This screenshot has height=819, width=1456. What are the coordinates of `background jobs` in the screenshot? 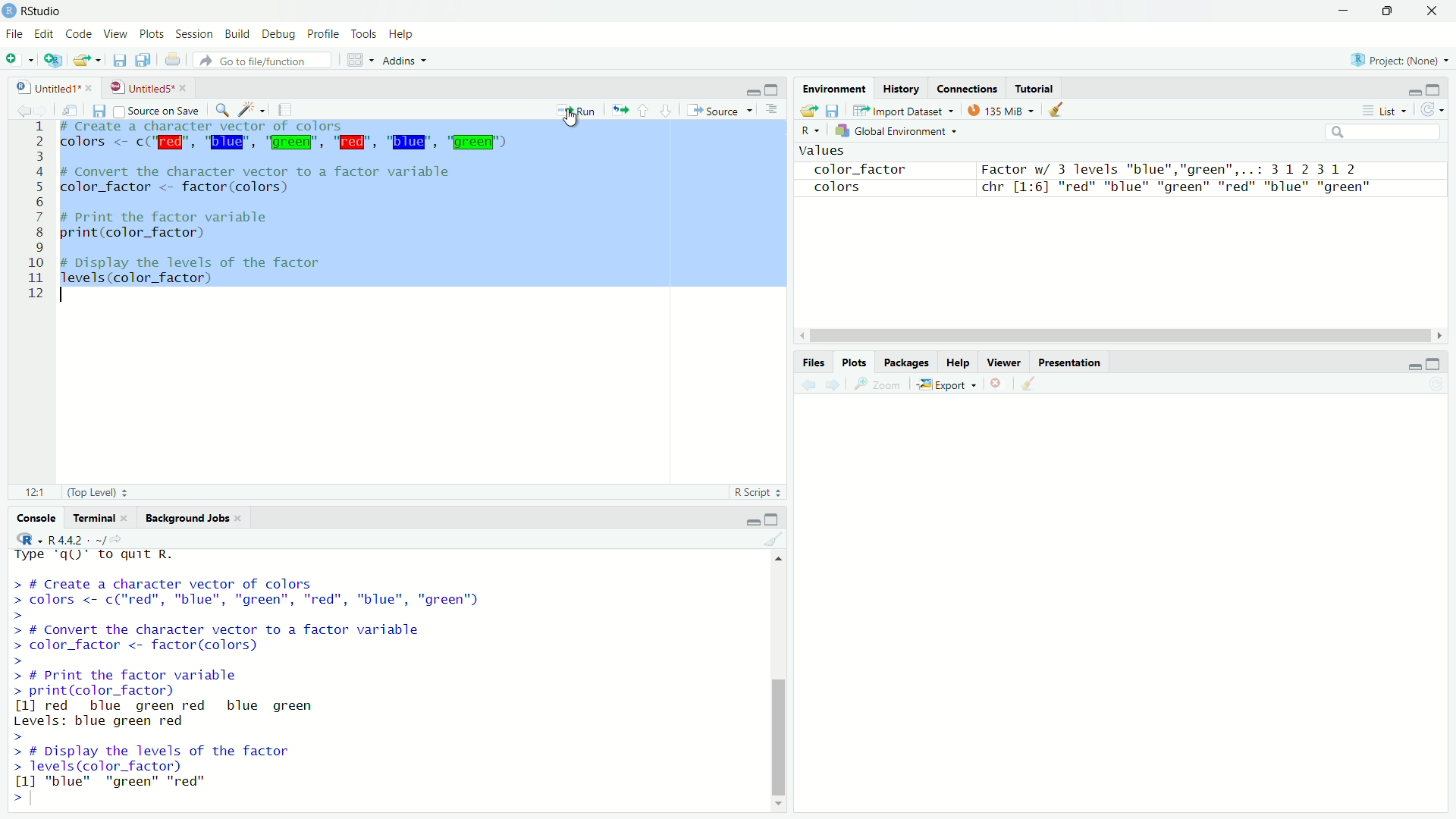 It's located at (193, 520).